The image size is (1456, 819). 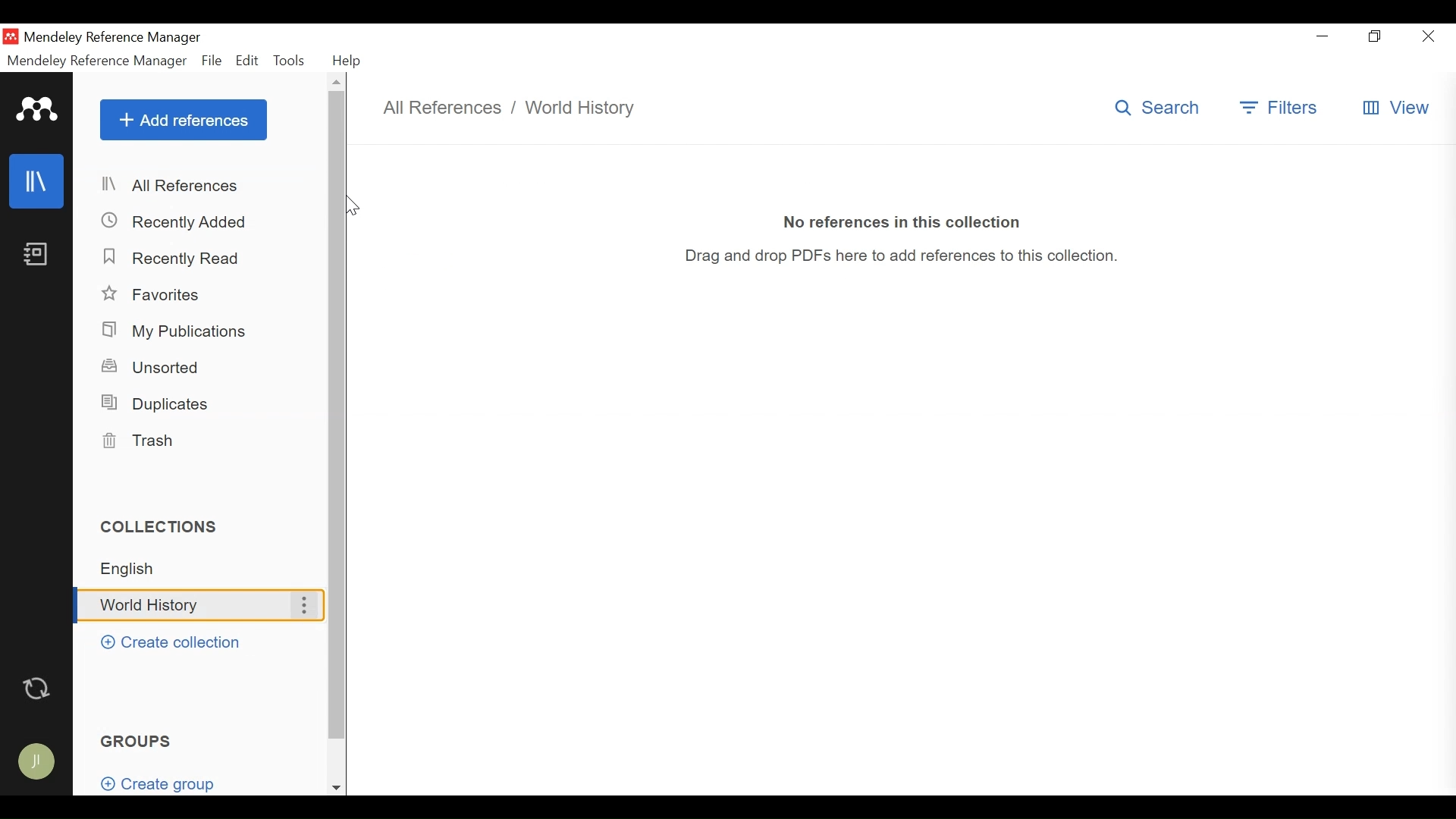 What do you see at coordinates (12, 36) in the screenshot?
I see `Mendeley Desktop Icon` at bounding box center [12, 36].